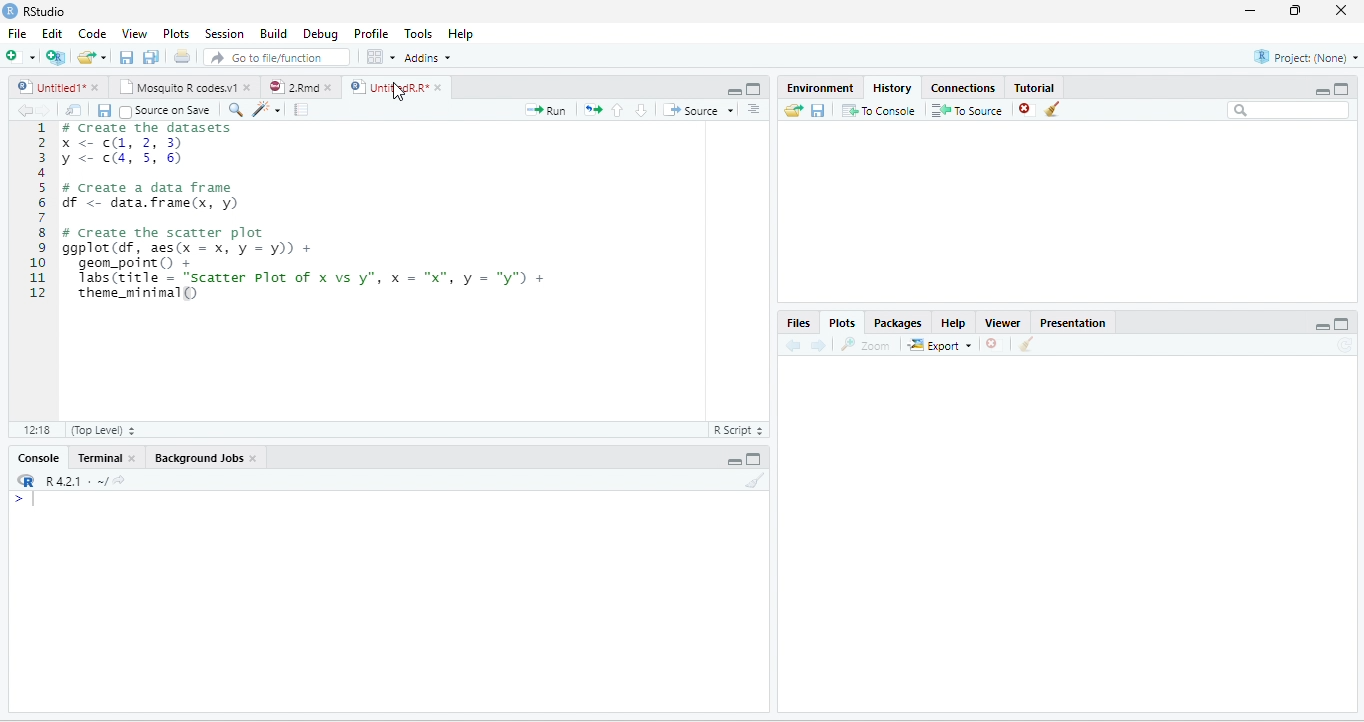  Describe the element at coordinates (75, 111) in the screenshot. I see `Show in new window` at that location.